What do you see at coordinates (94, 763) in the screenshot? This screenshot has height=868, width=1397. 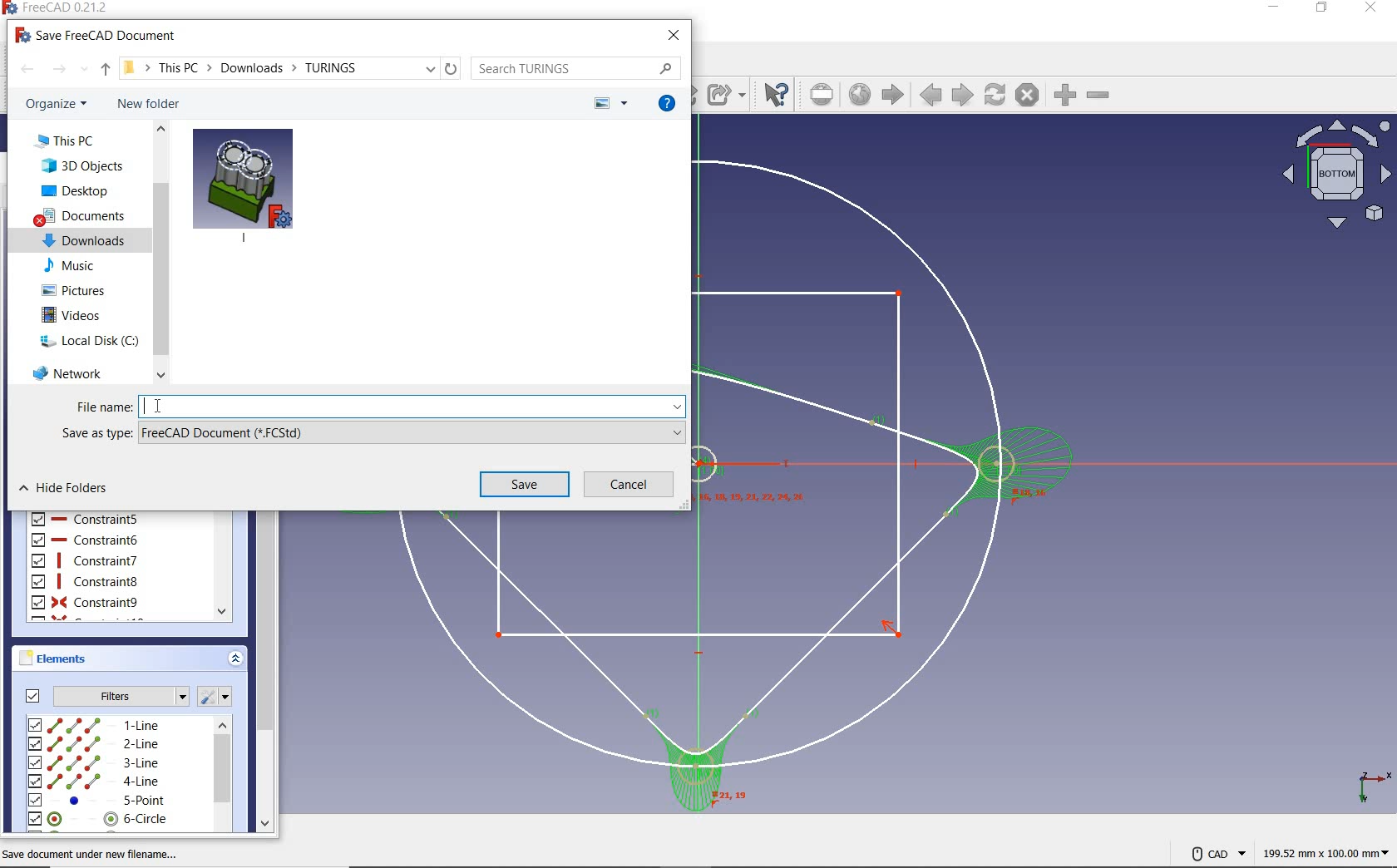 I see `3-line` at bounding box center [94, 763].